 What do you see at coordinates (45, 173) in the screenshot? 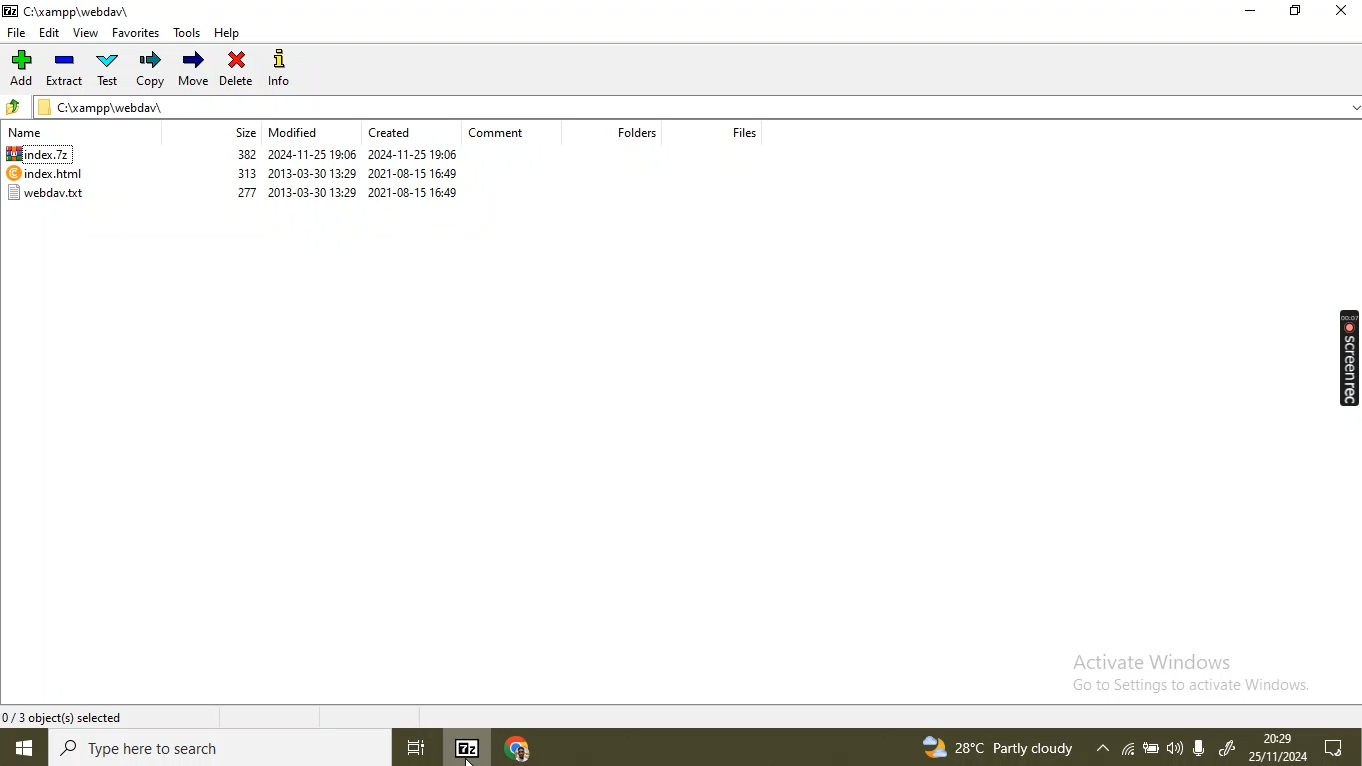
I see `index.html` at bounding box center [45, 173].